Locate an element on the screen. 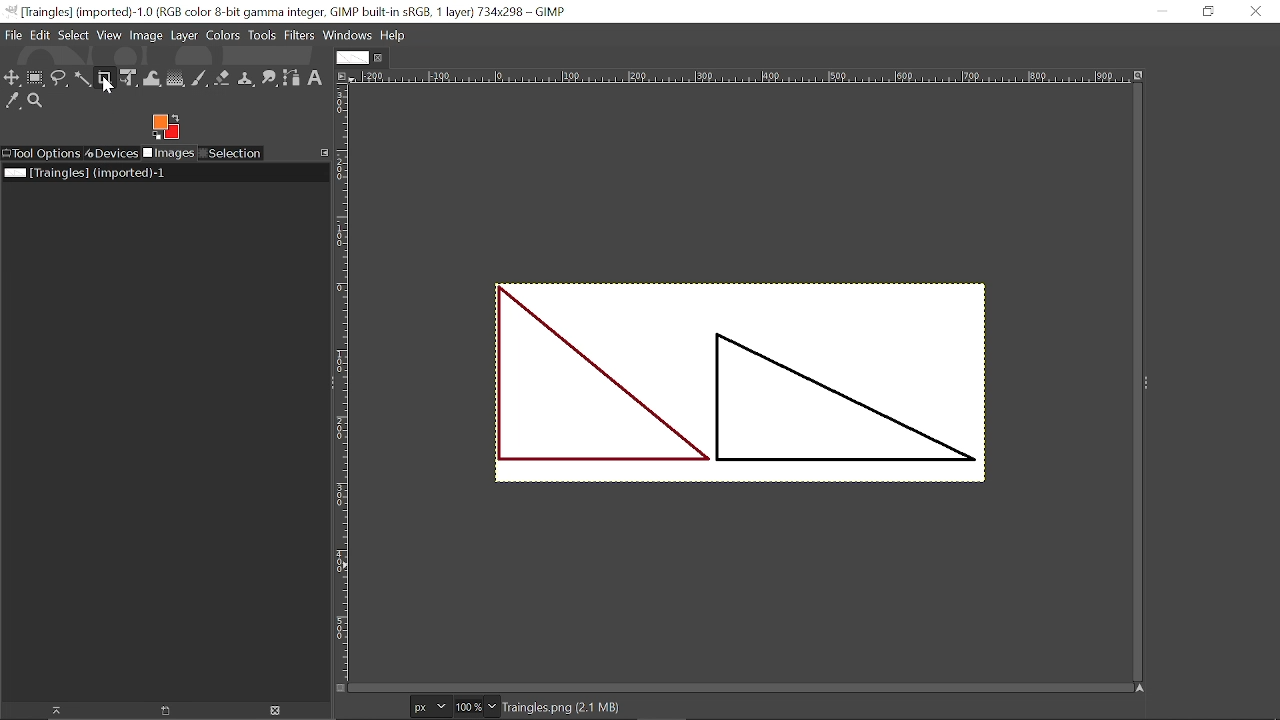 The height and width of the screenshot is (720, 1280). Minimize is located at coordinates (1170, 11).